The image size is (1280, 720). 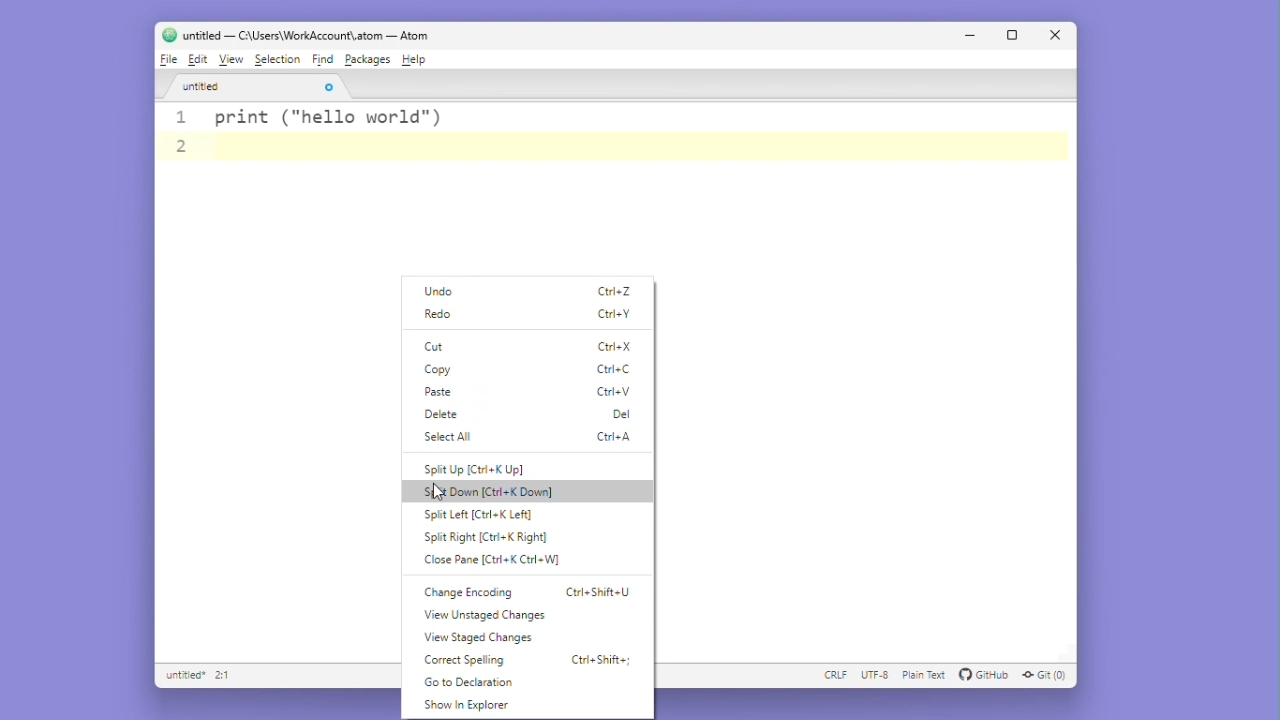 I want to click on CRLF, so click(x=837, y=676).